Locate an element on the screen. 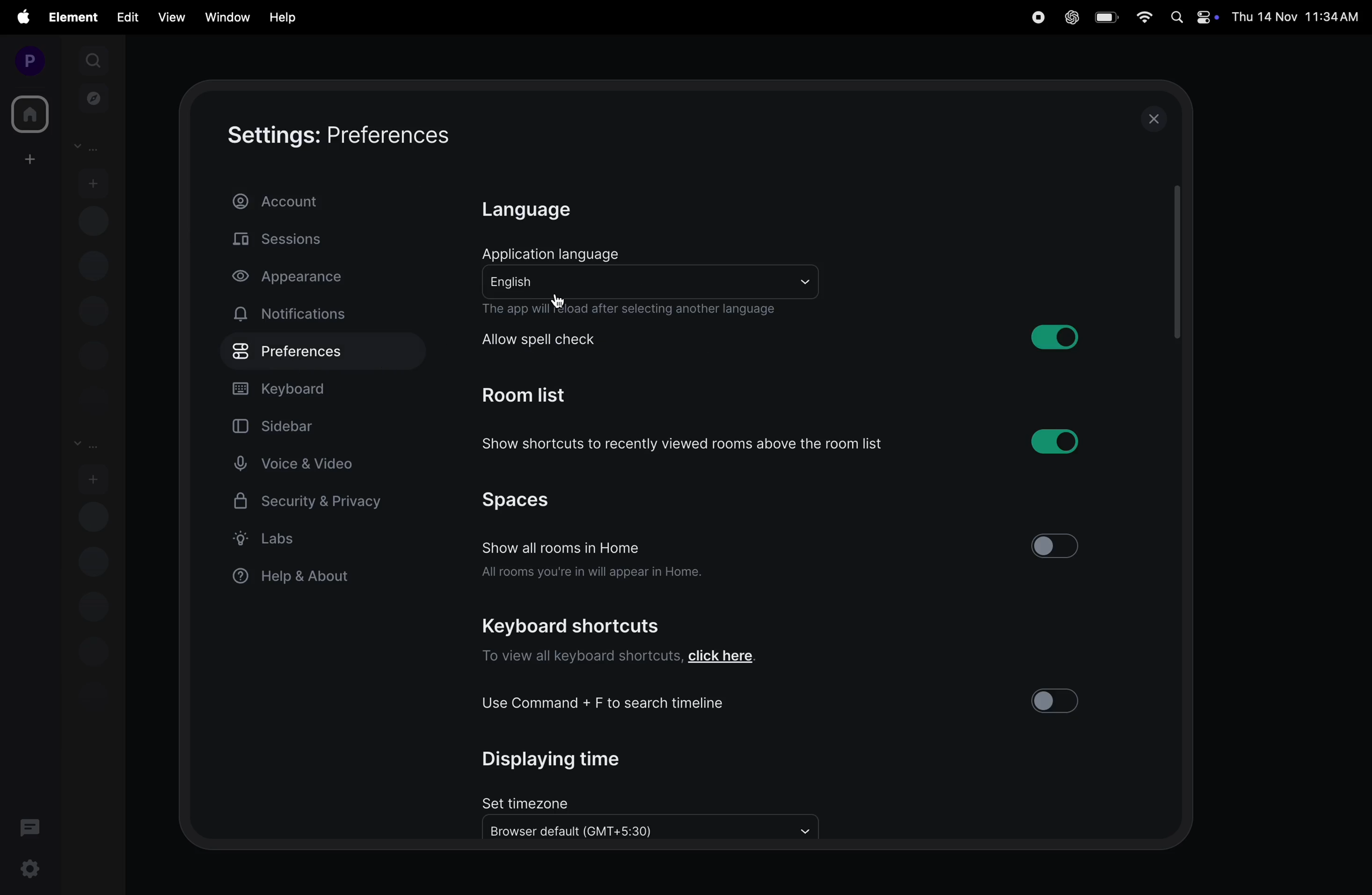  set time zone is located at coordinates (531, 803).